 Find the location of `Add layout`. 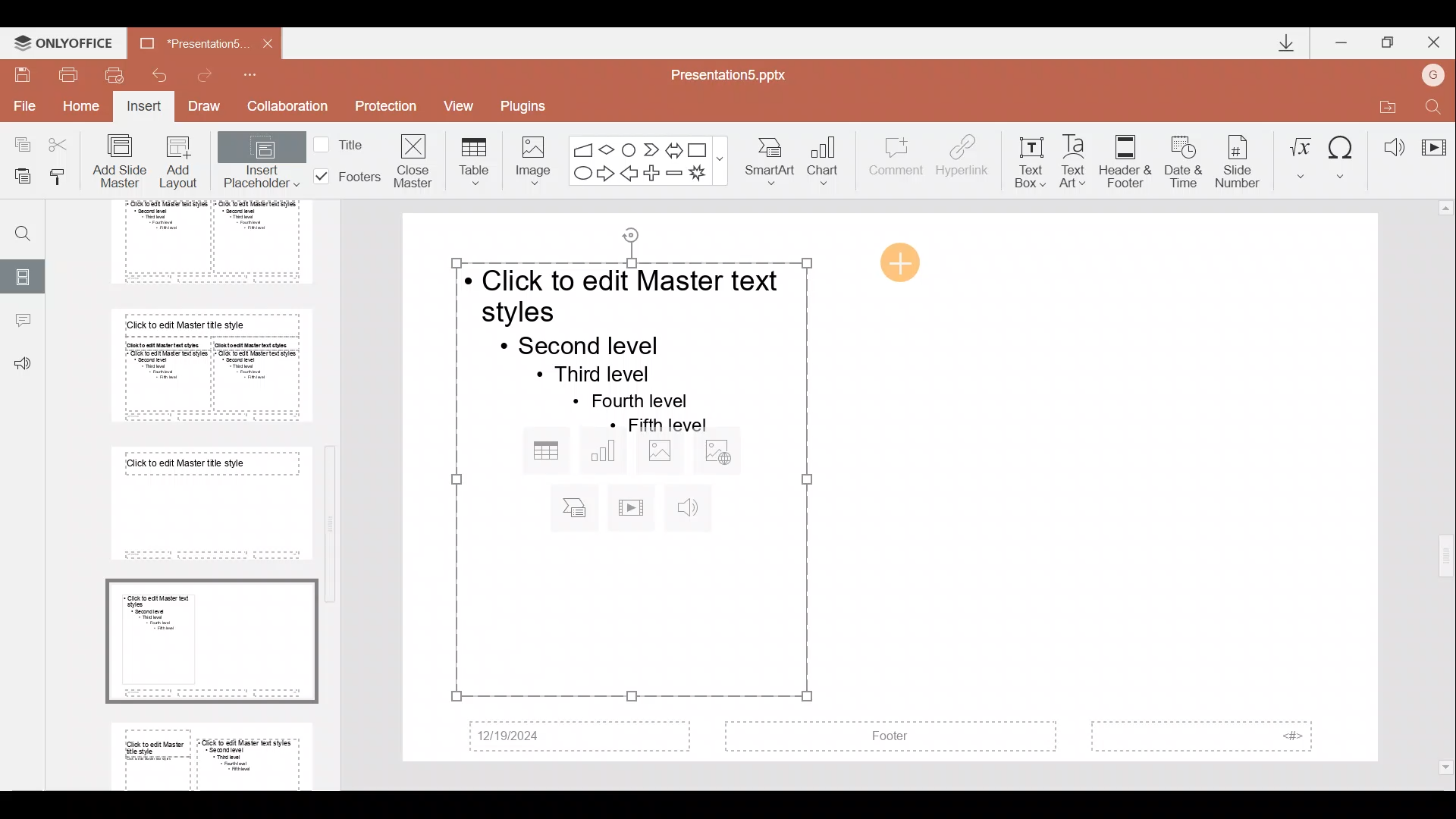

Add layout is located at coordinates (179, 165).